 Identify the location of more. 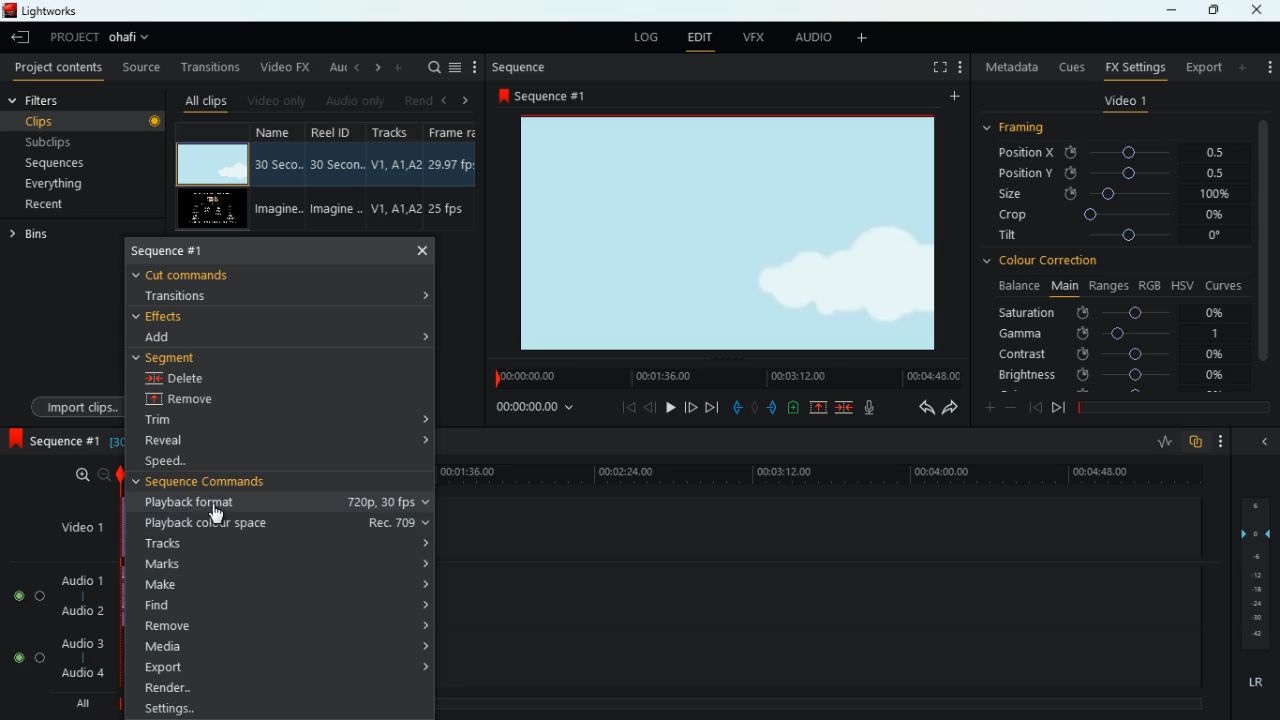
(400, 68).